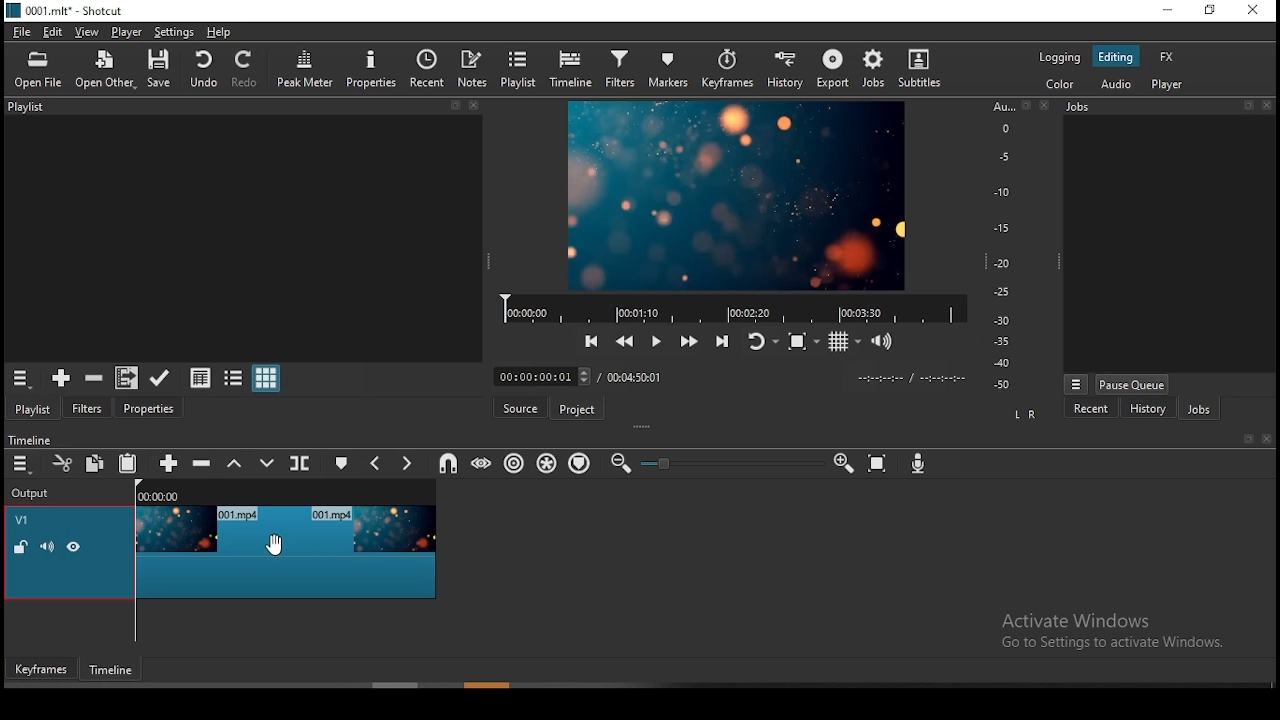  Describe the element at coordinates (1026, 413) in the screenshot. I see `L R` at that location.